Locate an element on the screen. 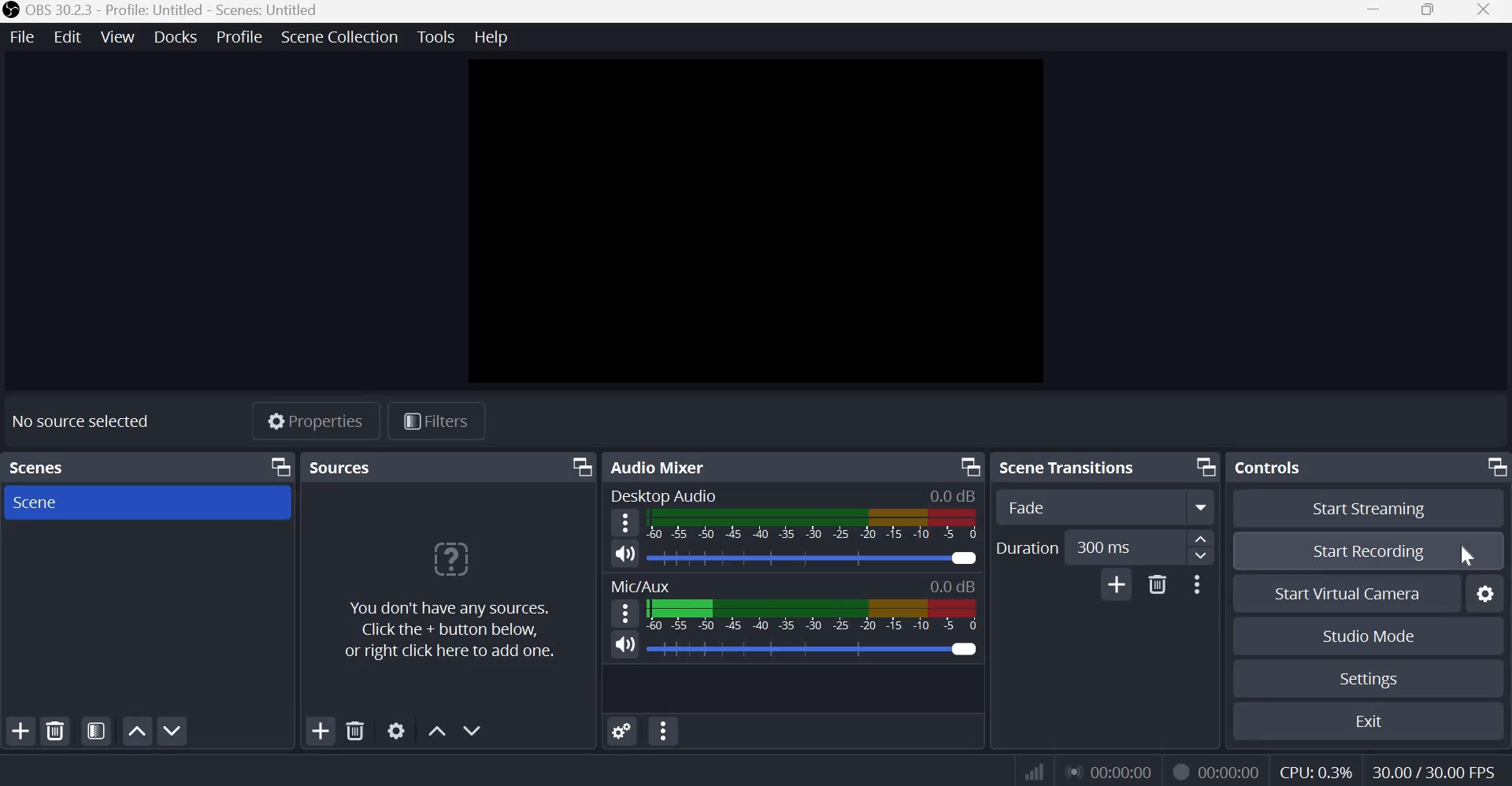 The width and height of the screenshot is (1512, 786). Audio level meter is located at coordinates (788, 650).